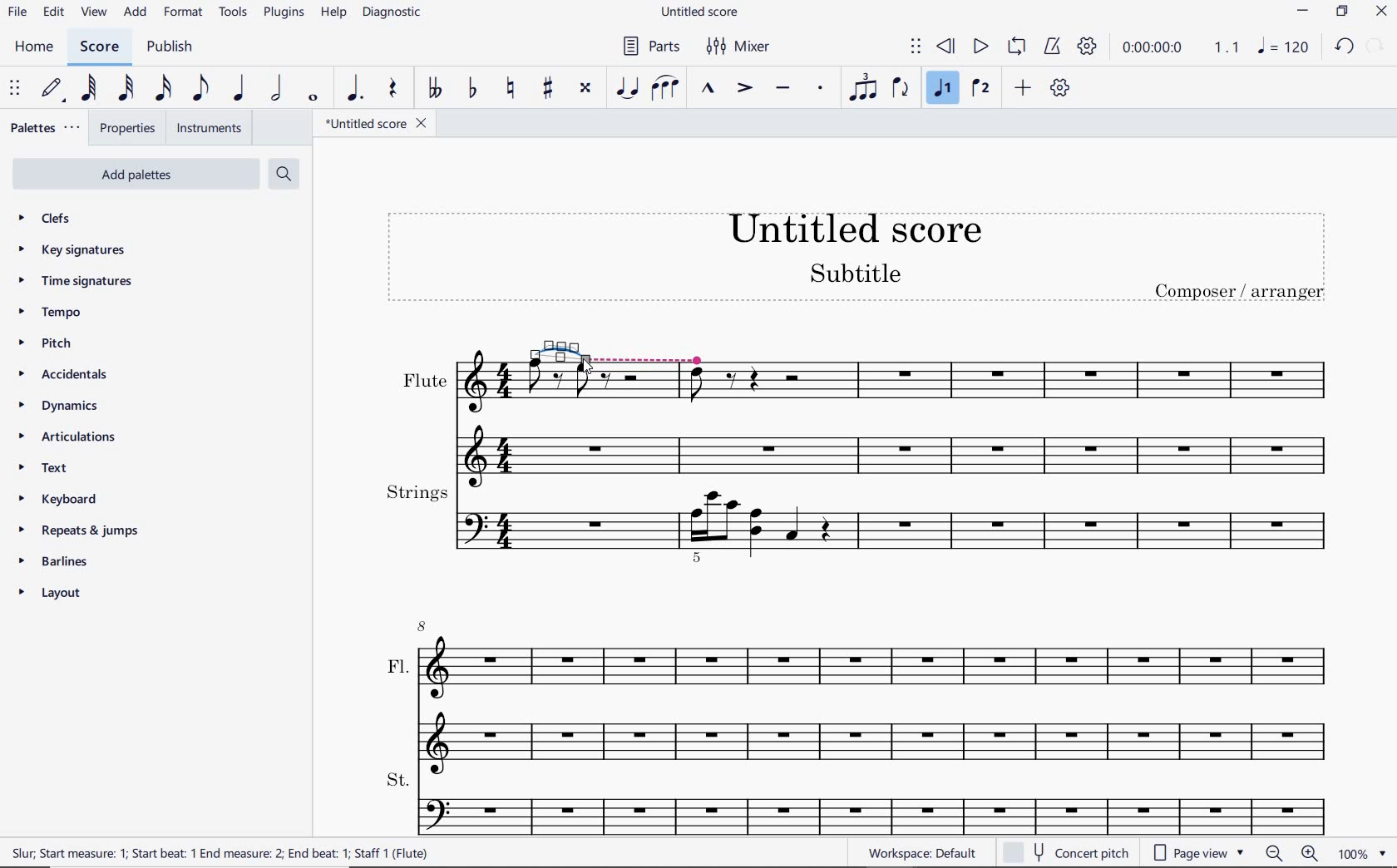 Image resolution: width=1397 pixels, height=868 pixels. What do you see at coordinates (84, 531) in the screenshot?
I see `repeats & jumps` at bounding box center [84, 531].